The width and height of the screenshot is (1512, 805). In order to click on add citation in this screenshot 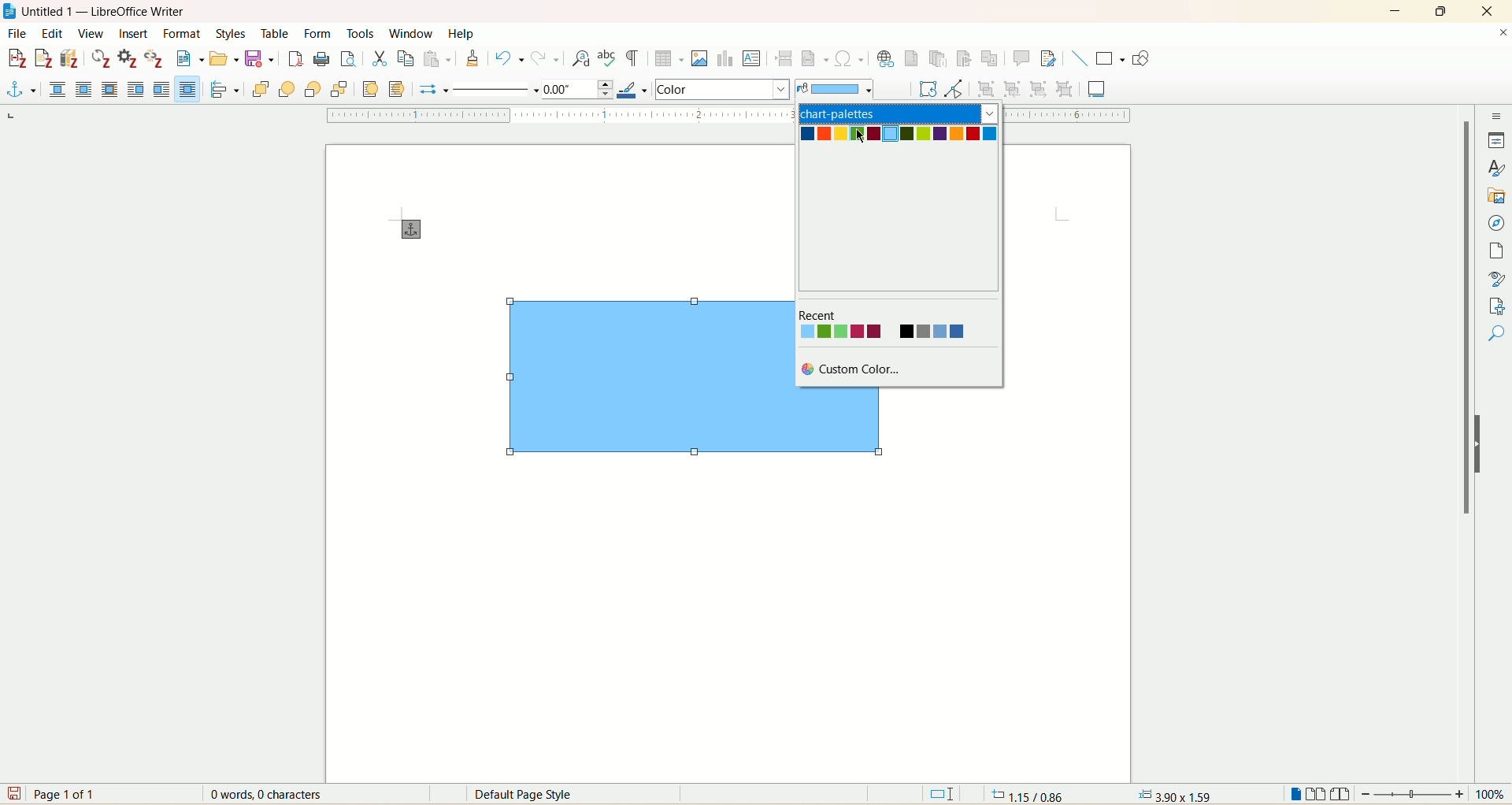, I will do `click(16, 57)`.